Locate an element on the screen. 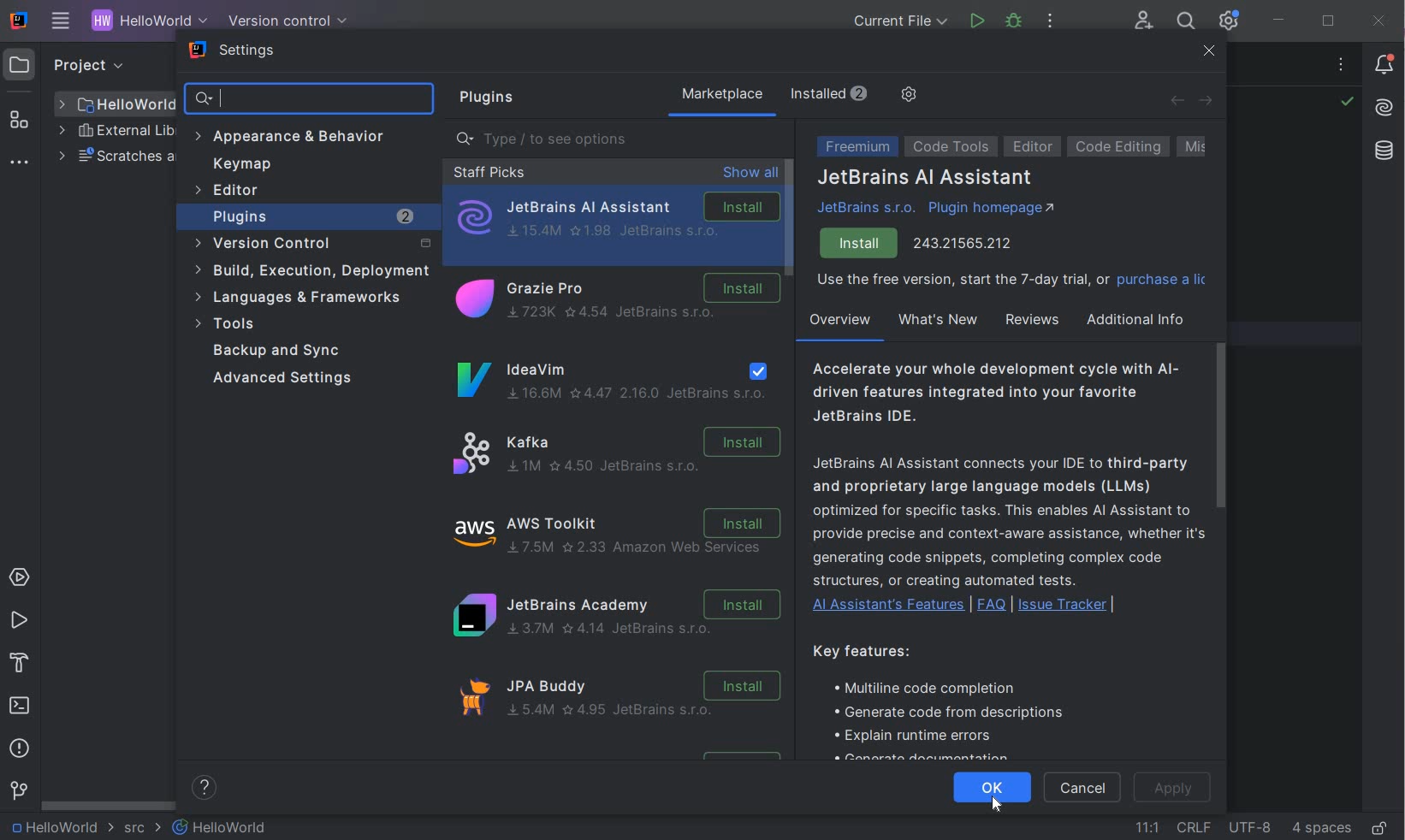 Image resolution: width=1405 pixels, height=840 pixels. FILE NAME is located at coordinates (221, 827).